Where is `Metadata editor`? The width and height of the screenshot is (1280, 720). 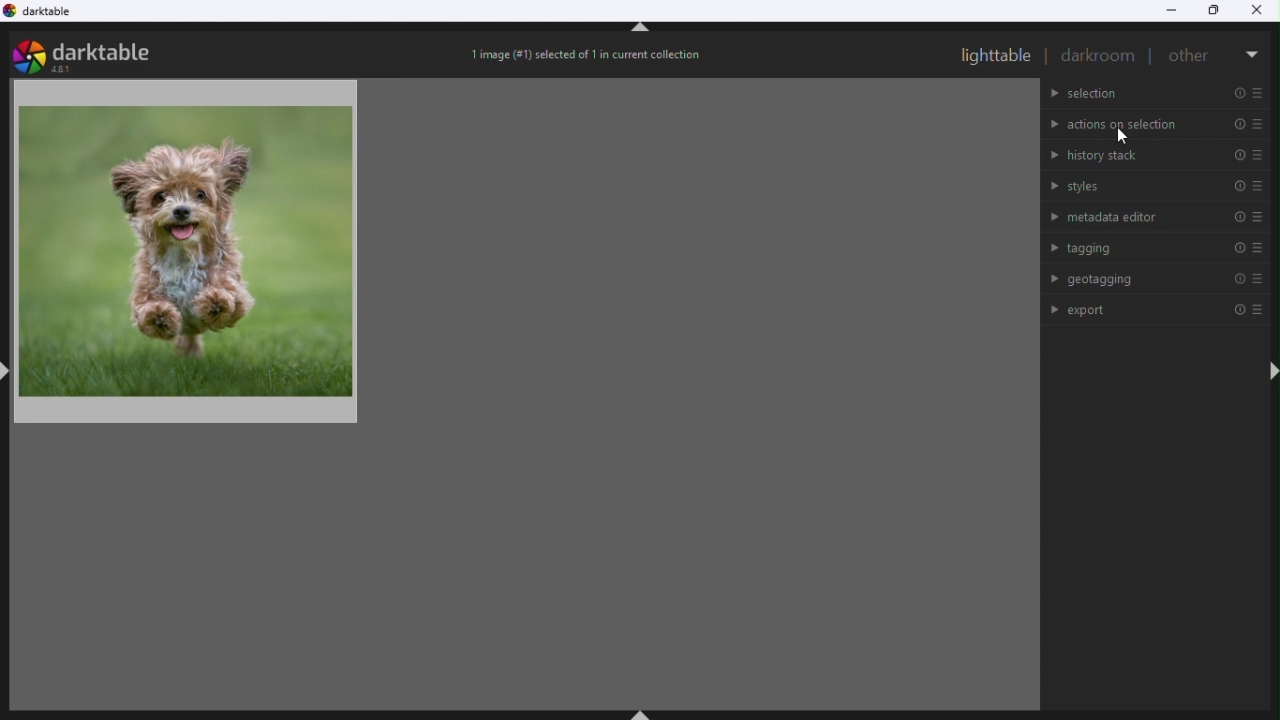 Metadata editor is located at coordinates (1156, 215).